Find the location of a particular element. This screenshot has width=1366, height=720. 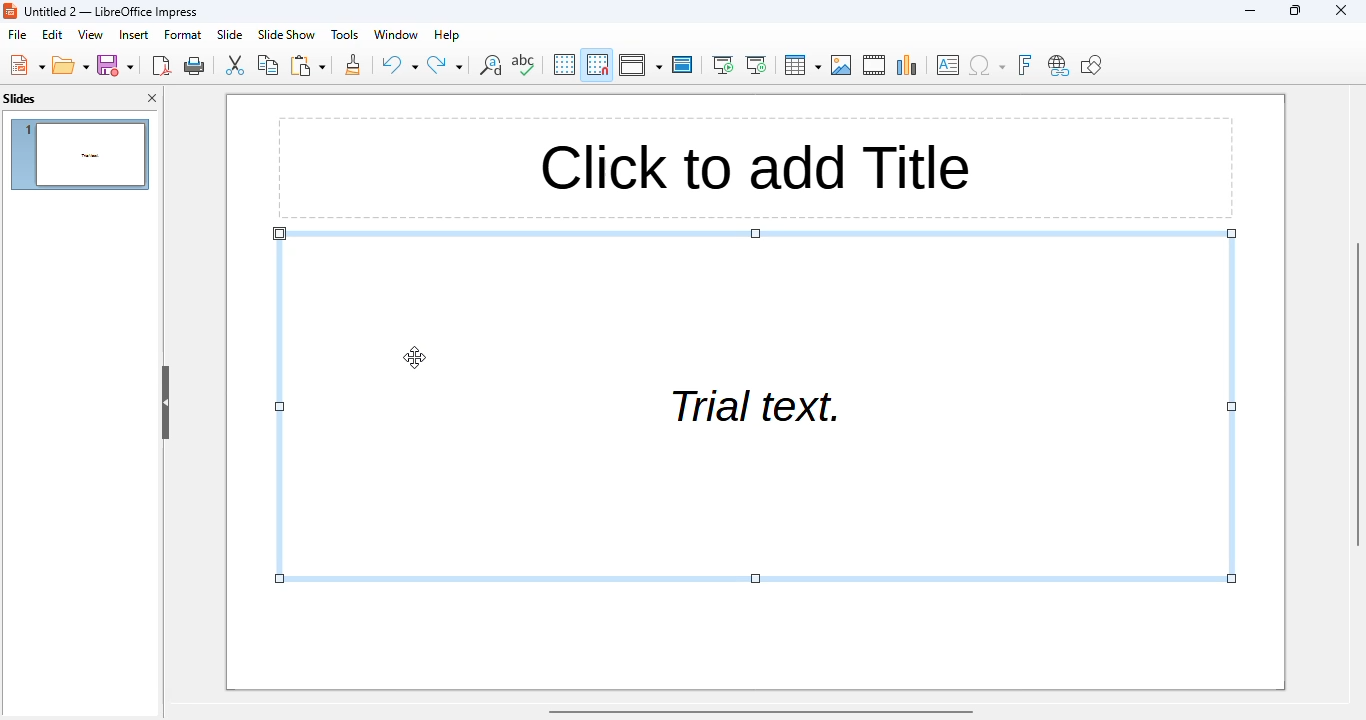

slideshow is located at coordinates (286, 35).